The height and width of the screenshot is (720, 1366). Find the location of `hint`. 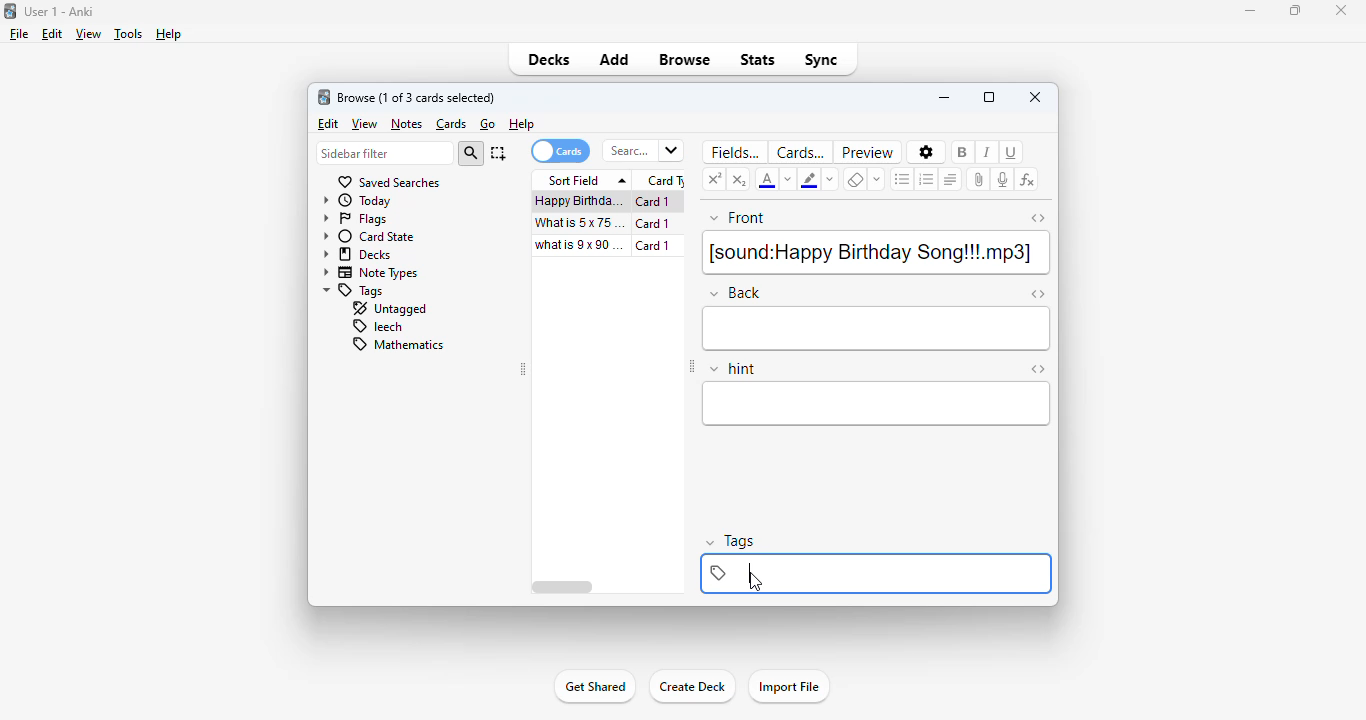

hint is located at coordinates (877, 404).